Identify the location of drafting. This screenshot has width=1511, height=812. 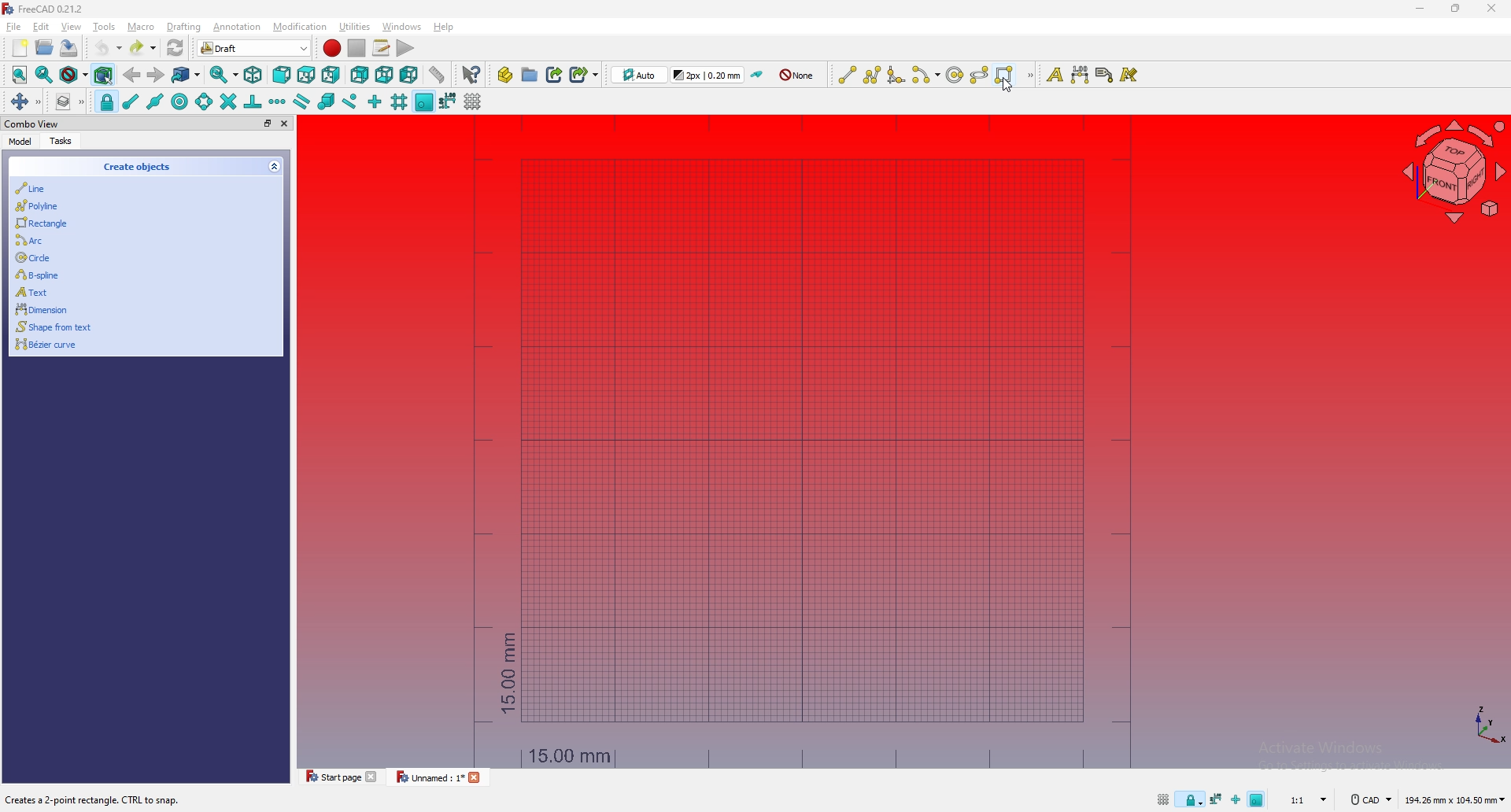
(185, 27).